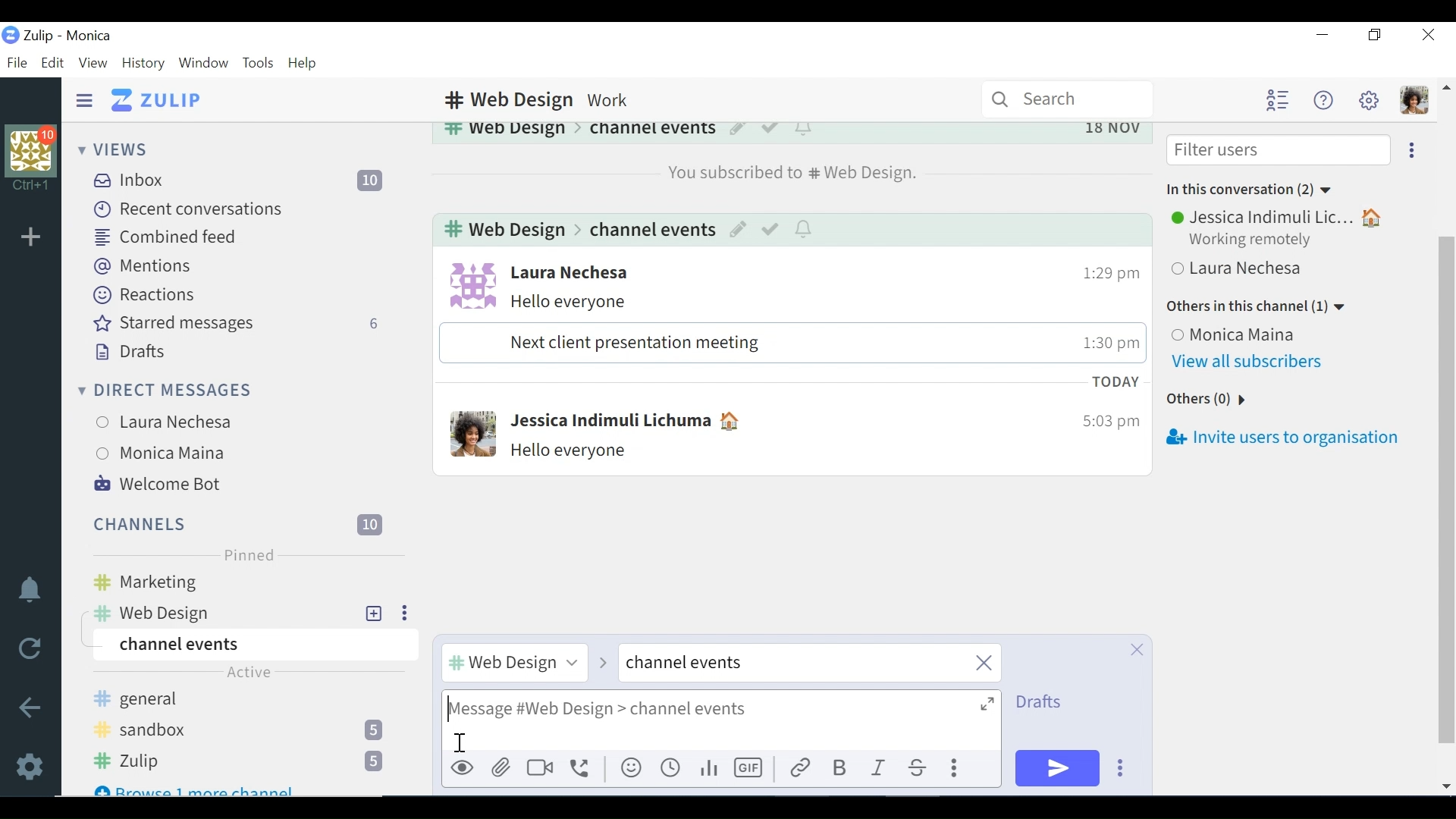 The height and width of the screenshot is (819, 1456). Describe the element at coordinates (16, 62) in the screenshot. I see `File` at that location.